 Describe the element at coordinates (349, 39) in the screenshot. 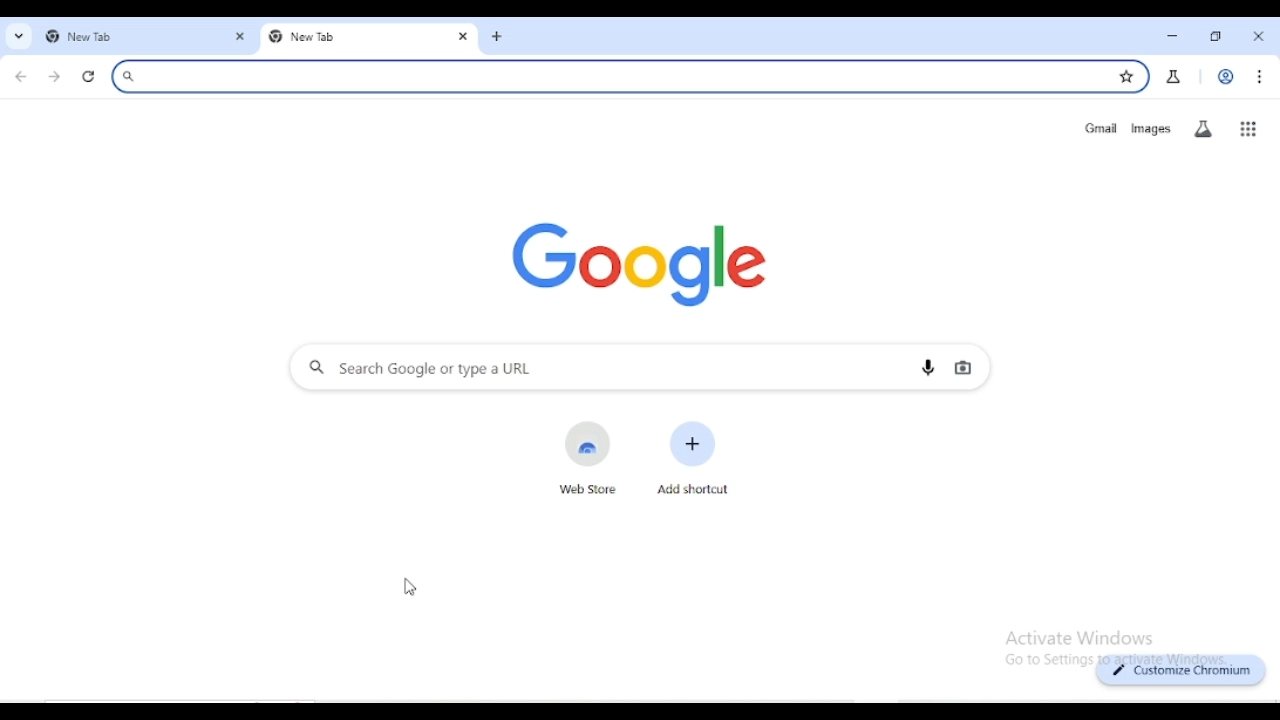

I see `new tab` at that location.